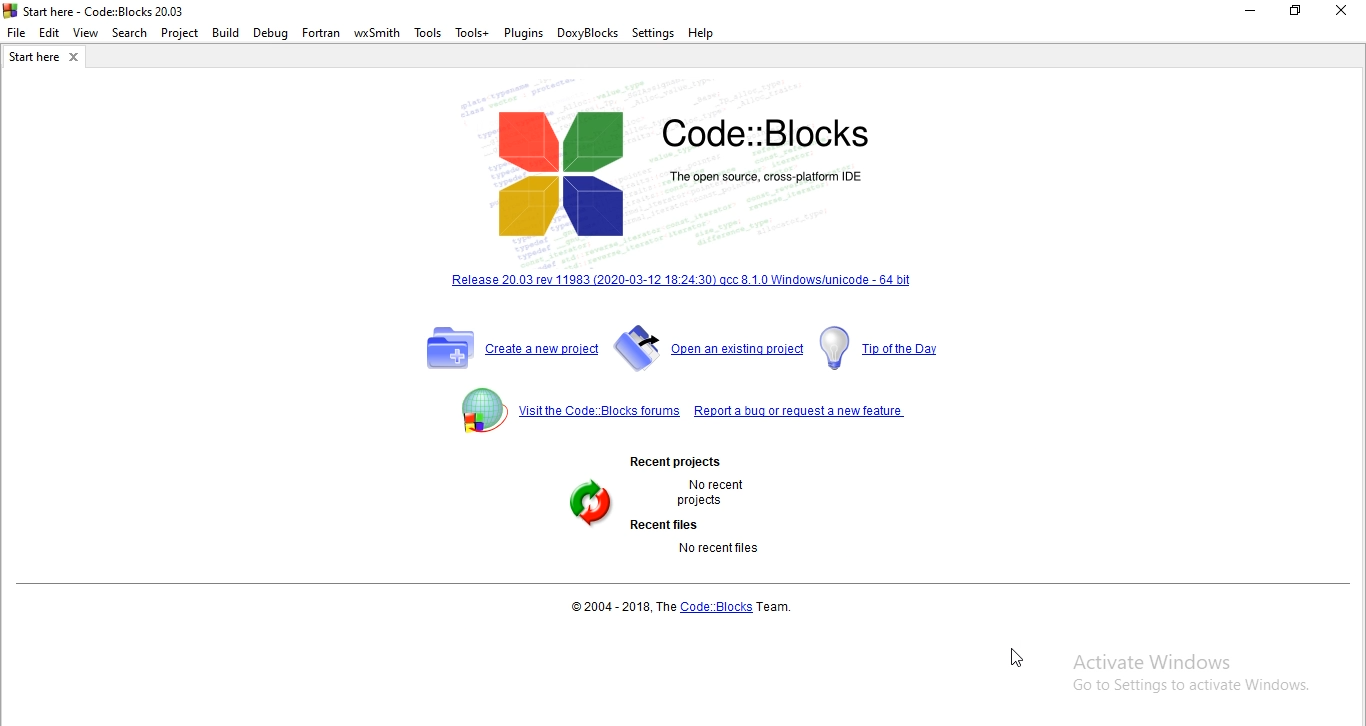 The width and height of the screenshot is (1366, 726). I want to click on Recent files, so click(670, 524).